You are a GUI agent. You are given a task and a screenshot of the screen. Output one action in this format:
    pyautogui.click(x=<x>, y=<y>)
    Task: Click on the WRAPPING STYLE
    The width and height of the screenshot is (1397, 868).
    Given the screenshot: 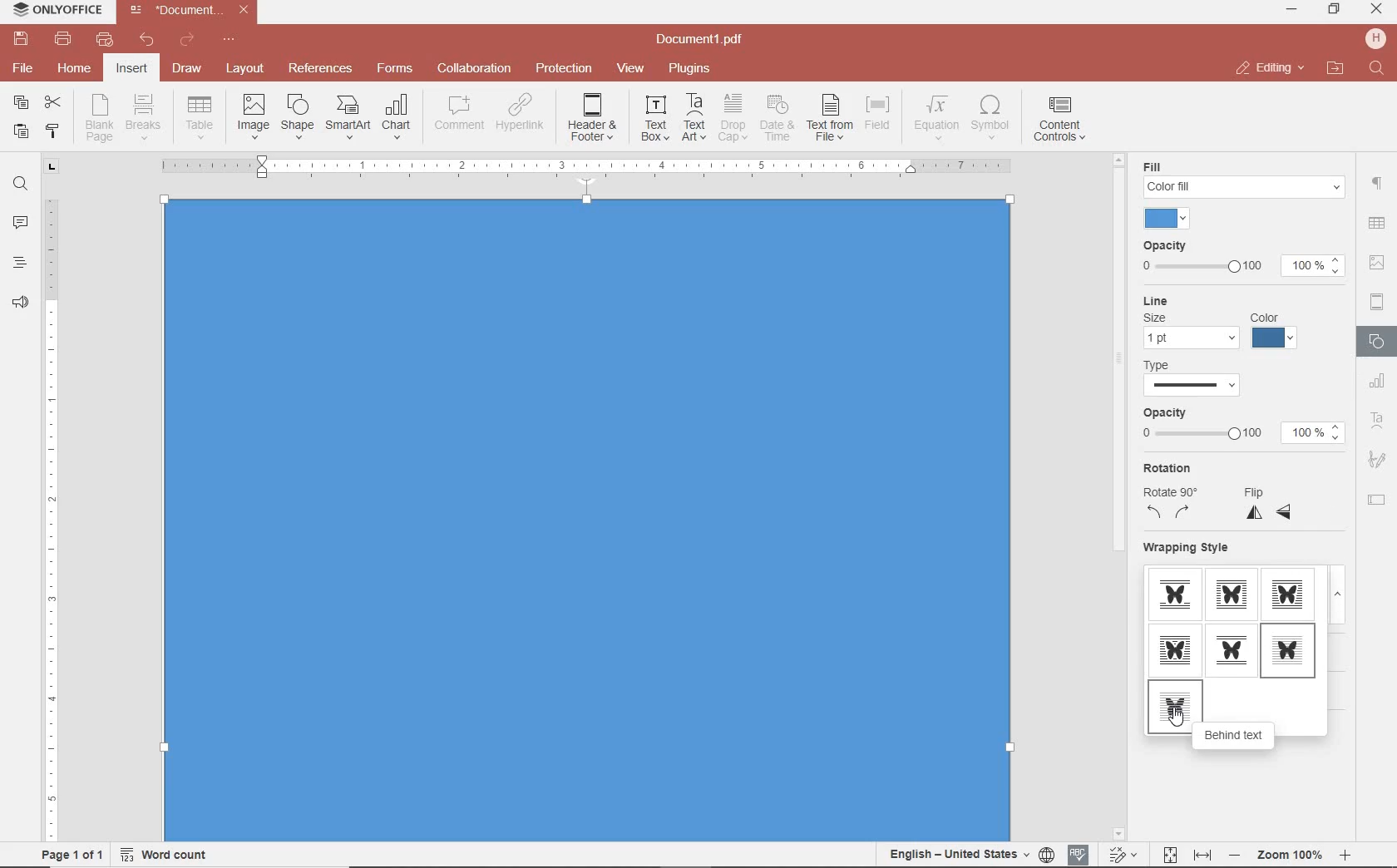 What is the action you would take?
    pyautogui.click(x=1238, y=579)
    